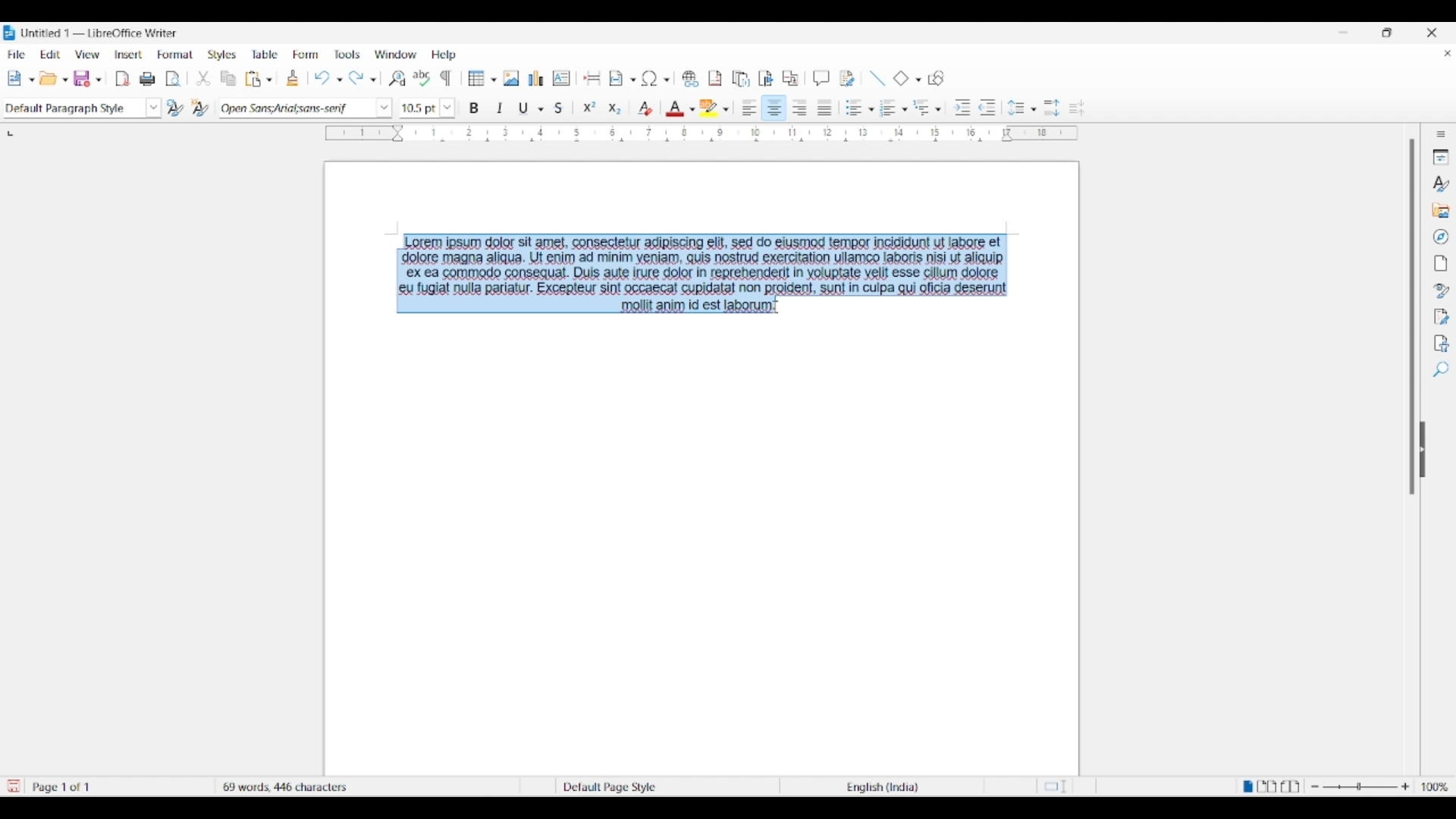  Describe the element at coordinates (541, 109) in the screenshot. I see `Underline options` at that location.